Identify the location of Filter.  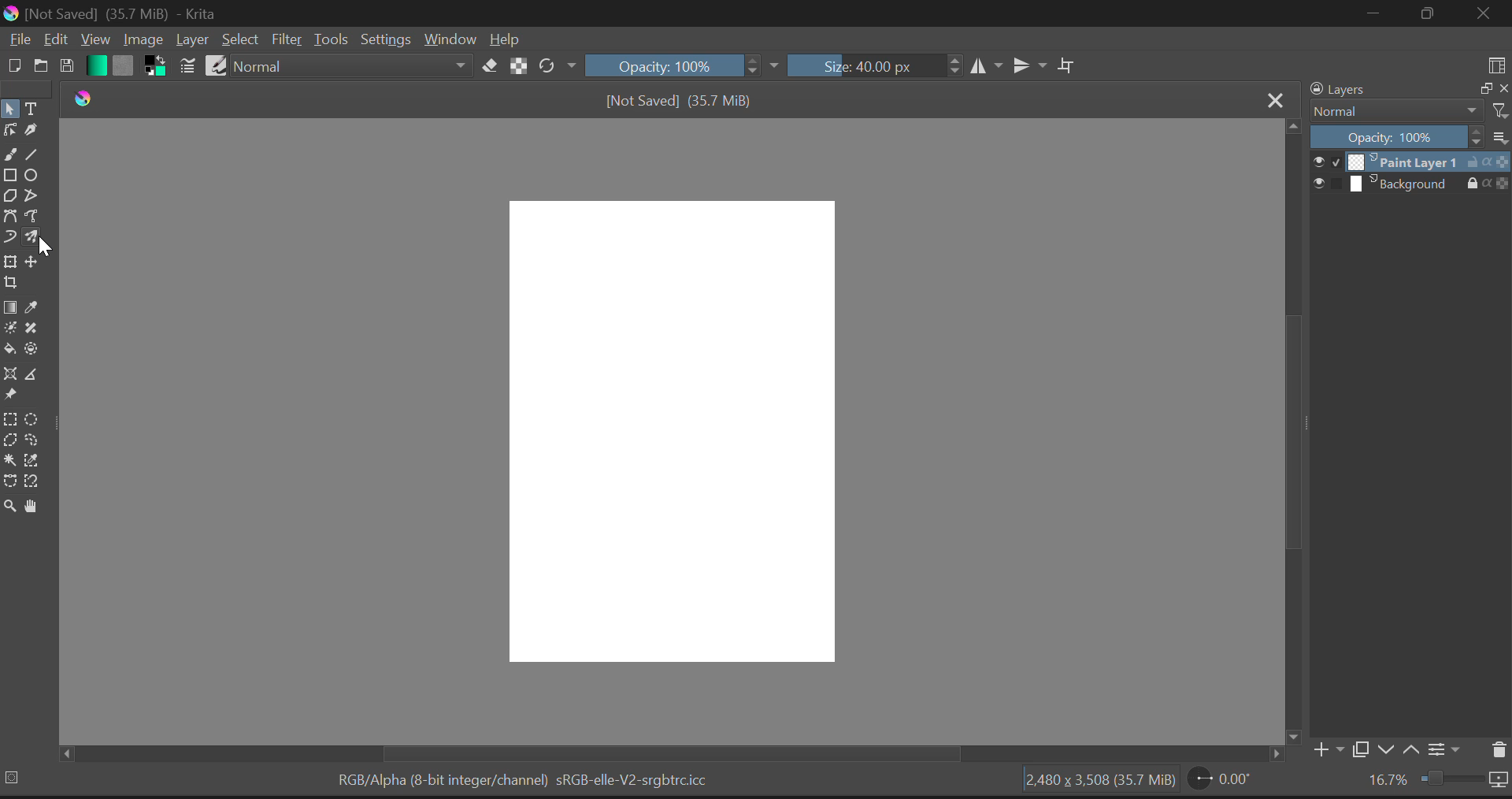
(288, 40).